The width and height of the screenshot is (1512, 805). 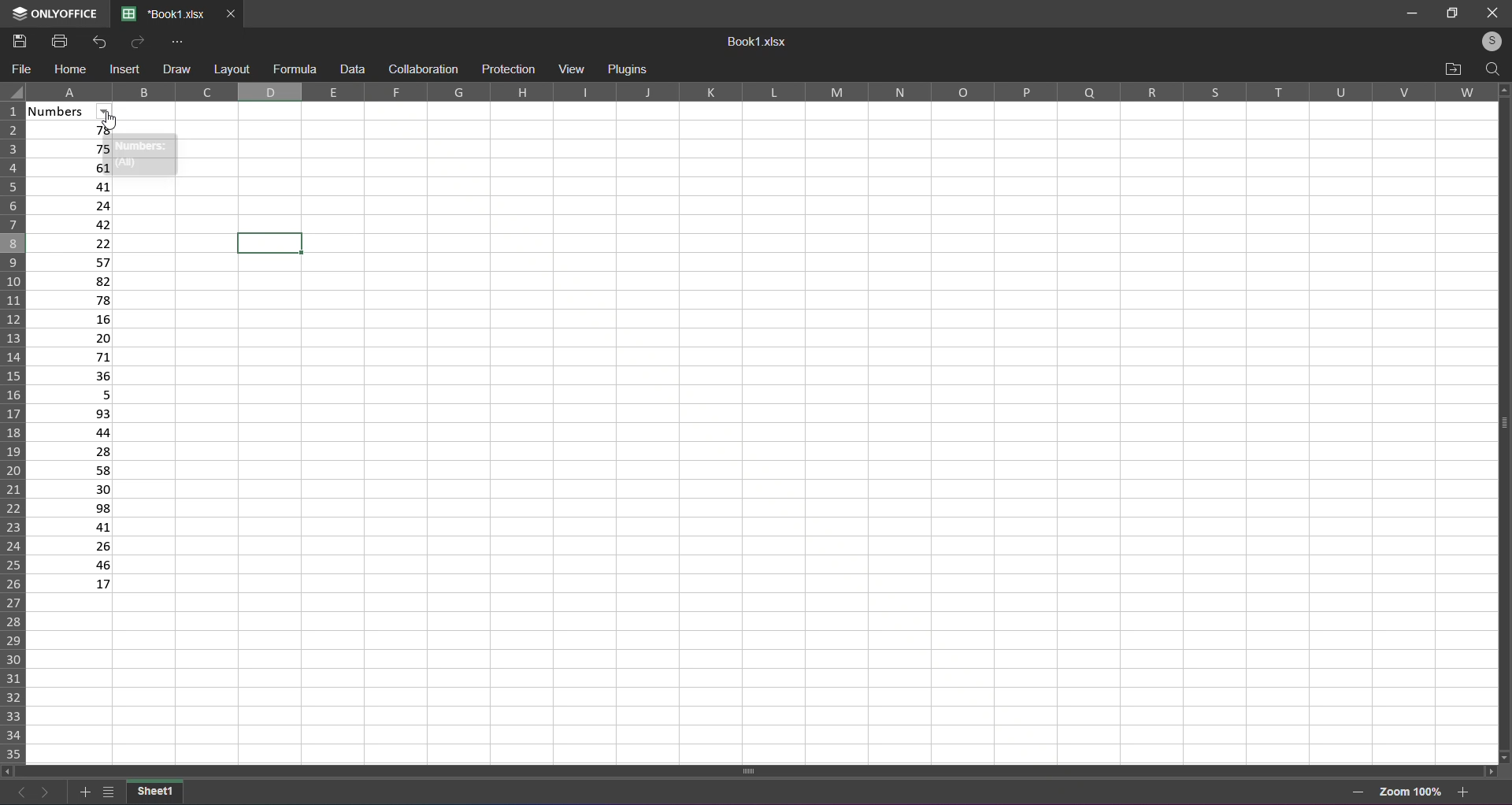 I want to click on 78, so click(x=74, y=299).